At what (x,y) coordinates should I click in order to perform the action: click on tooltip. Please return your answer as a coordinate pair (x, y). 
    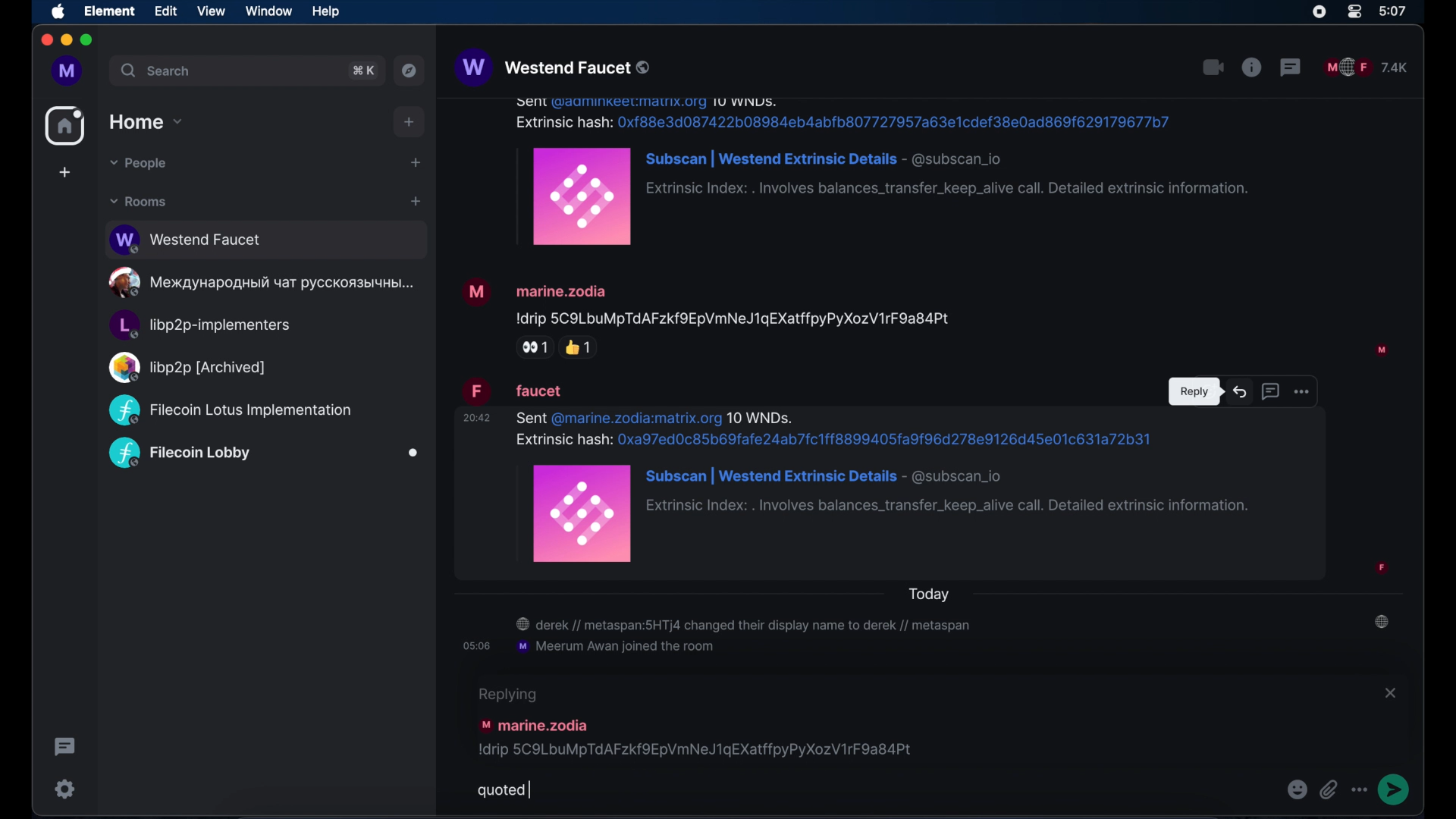
    Looking at the image, I should click on (1194, 393).